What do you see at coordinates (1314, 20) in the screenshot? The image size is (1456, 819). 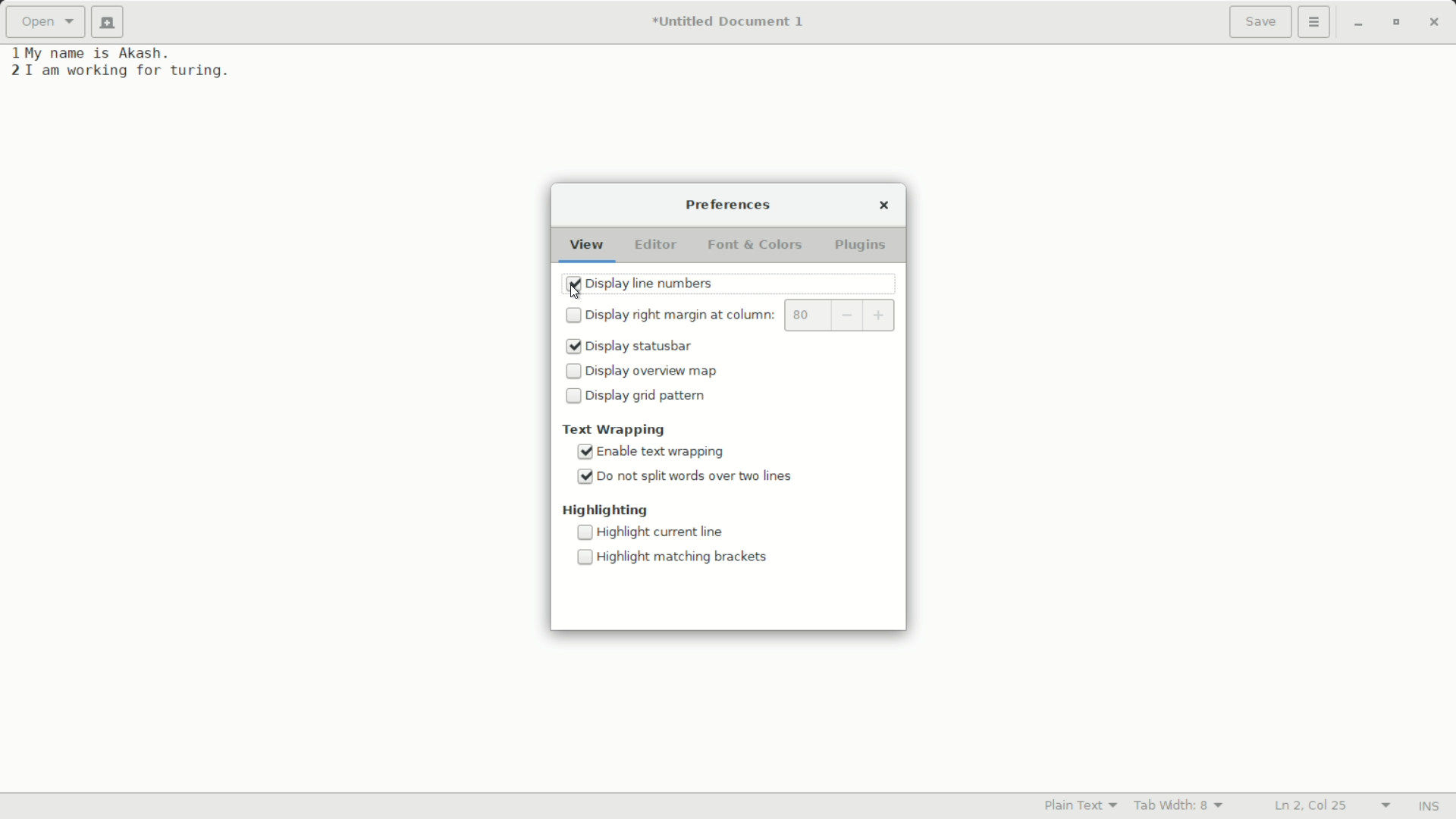 I see `more options` at bounding box center [1314, 20].